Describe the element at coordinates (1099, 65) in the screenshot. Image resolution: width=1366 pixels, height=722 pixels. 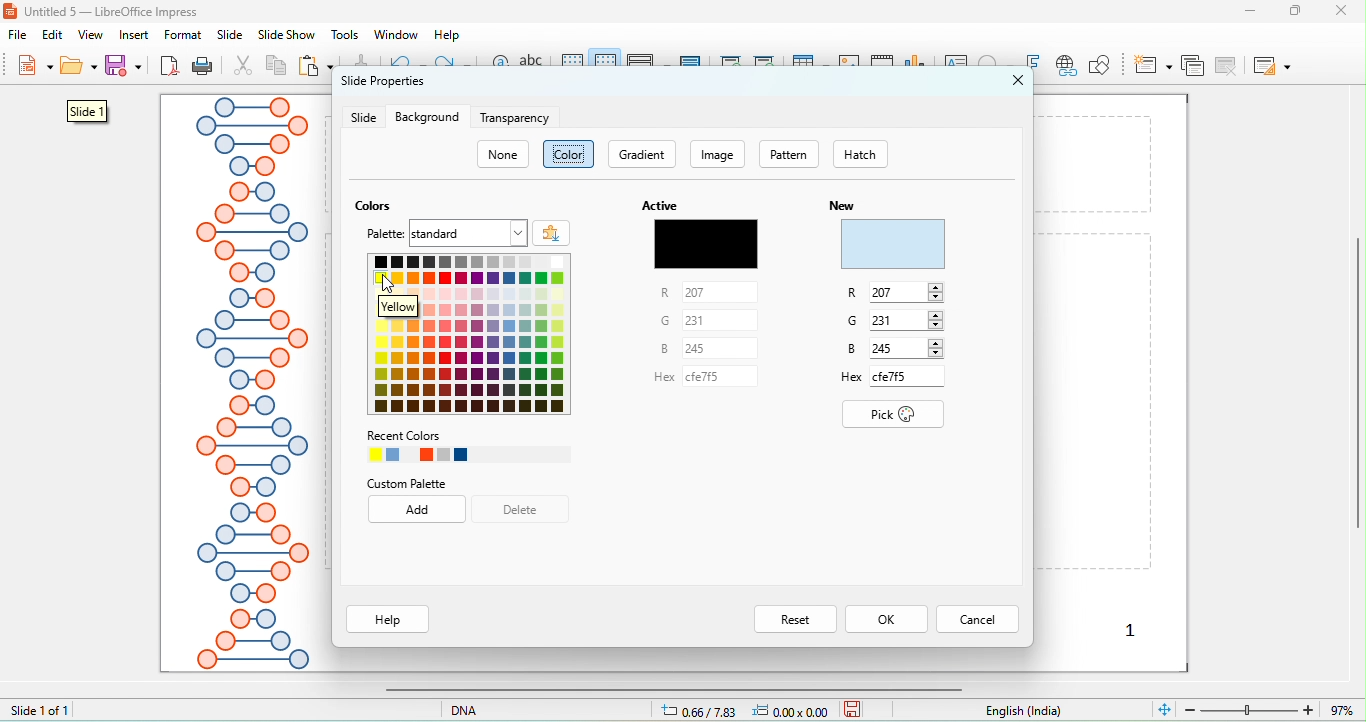
I see `show draw functions` at that location.